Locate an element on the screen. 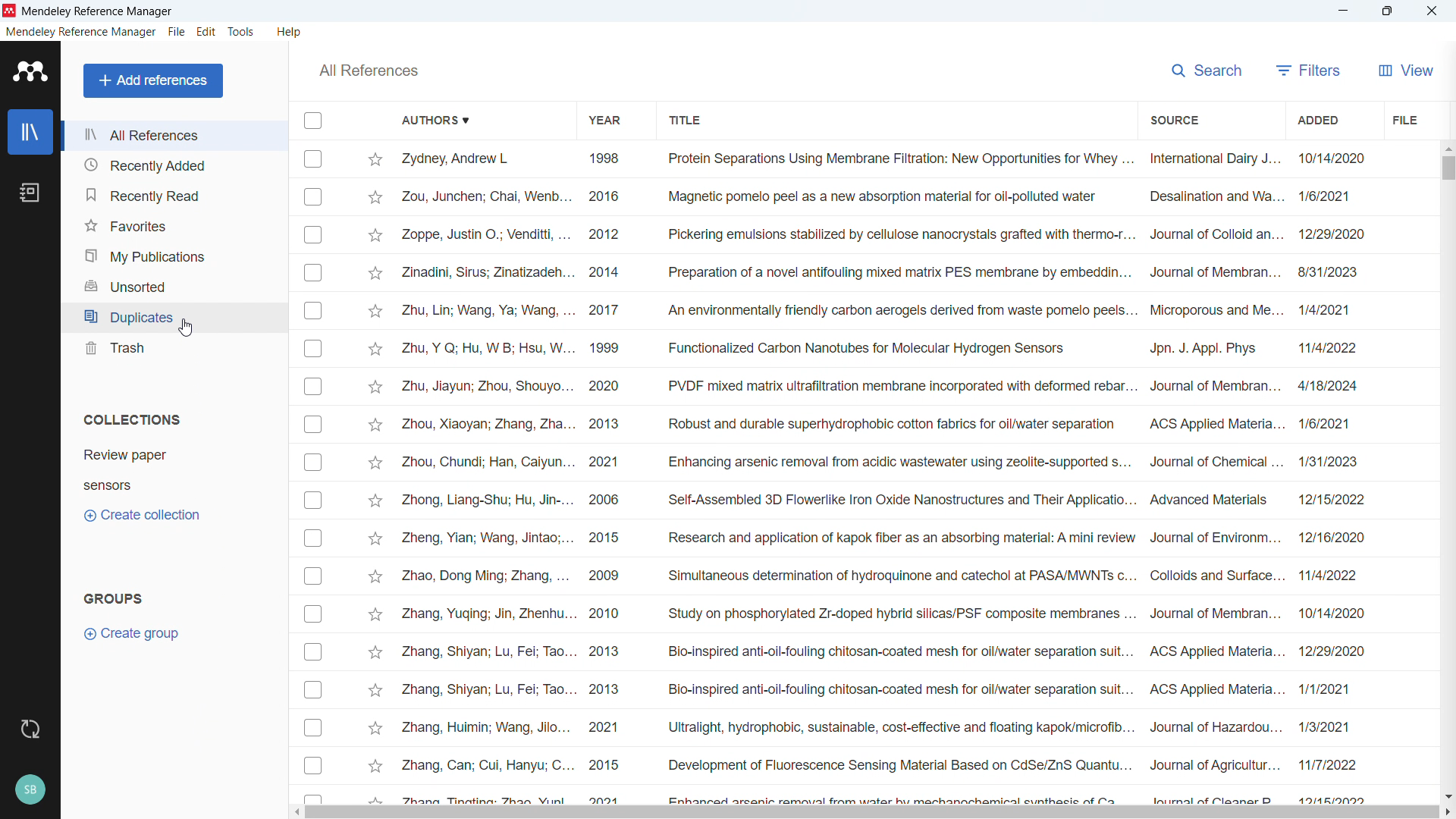 The image size is (1456, 819). Select individual entries  is located at coordinates (312, 472).